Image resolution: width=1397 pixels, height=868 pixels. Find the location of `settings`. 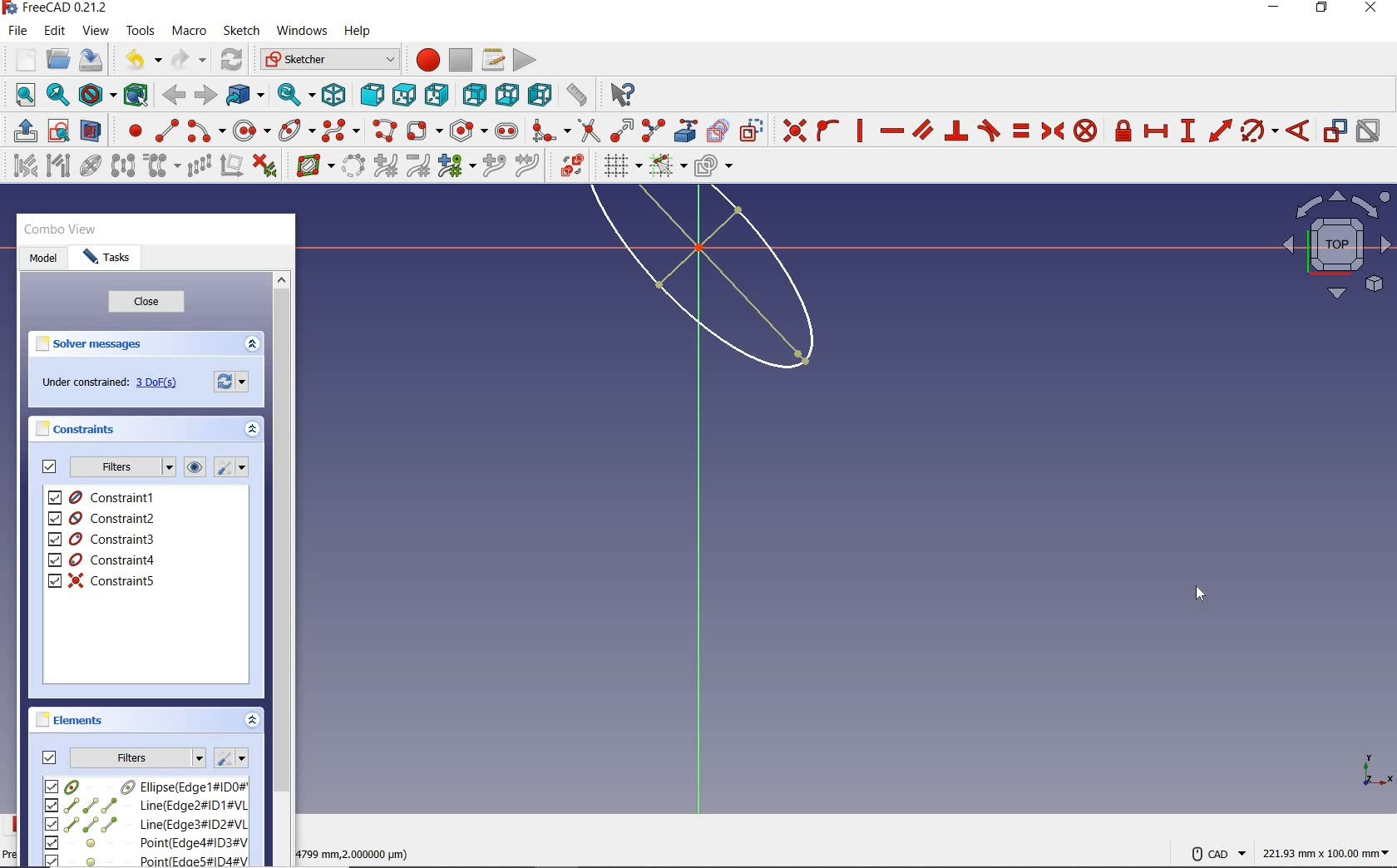

settings is located at coordinates (230, 758).